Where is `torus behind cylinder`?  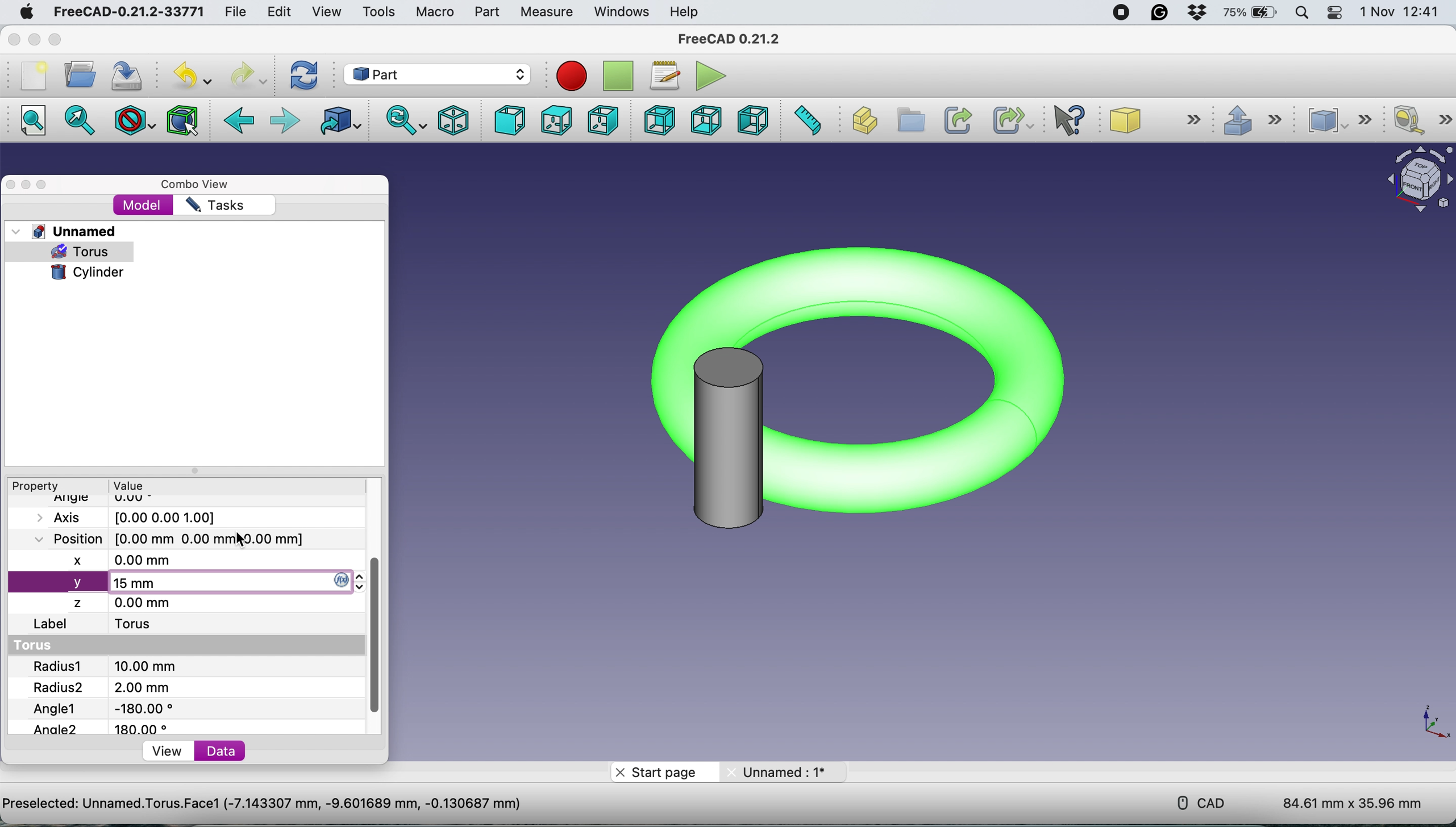
torus behind cylinder is located at coordinates (859, 386).